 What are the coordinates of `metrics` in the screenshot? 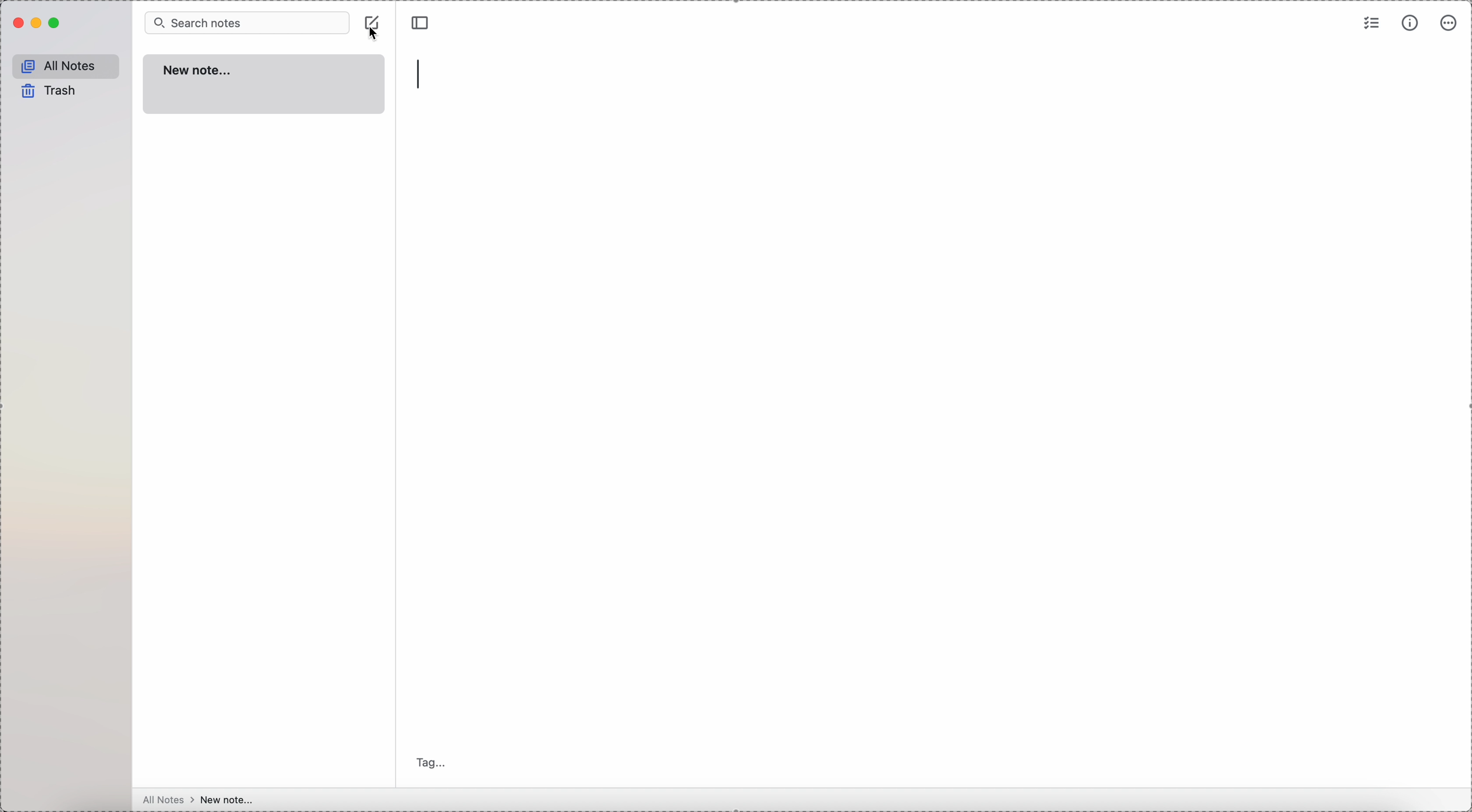 It's located at (1411, 23).